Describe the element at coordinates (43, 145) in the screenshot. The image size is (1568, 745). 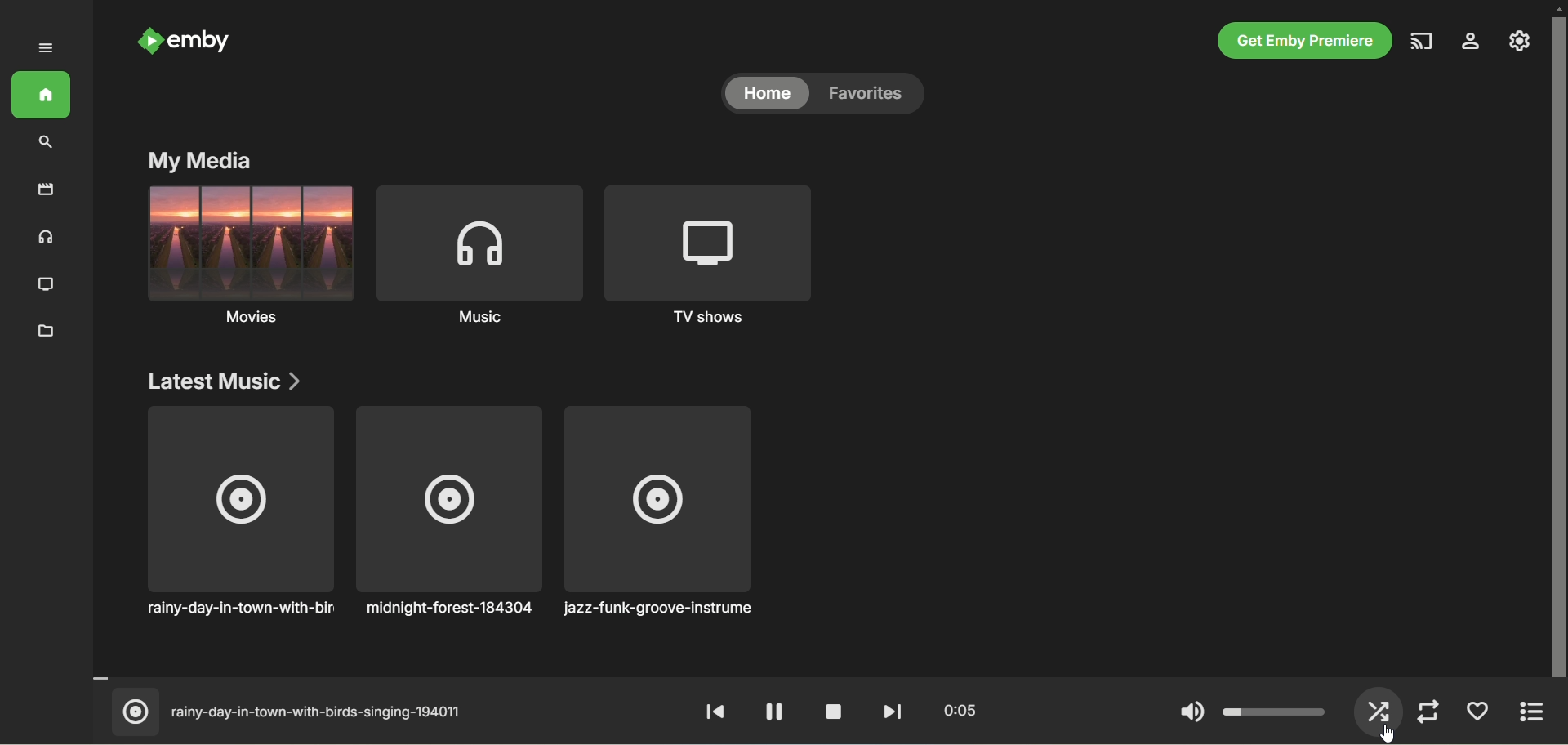
I see `search` at that location.